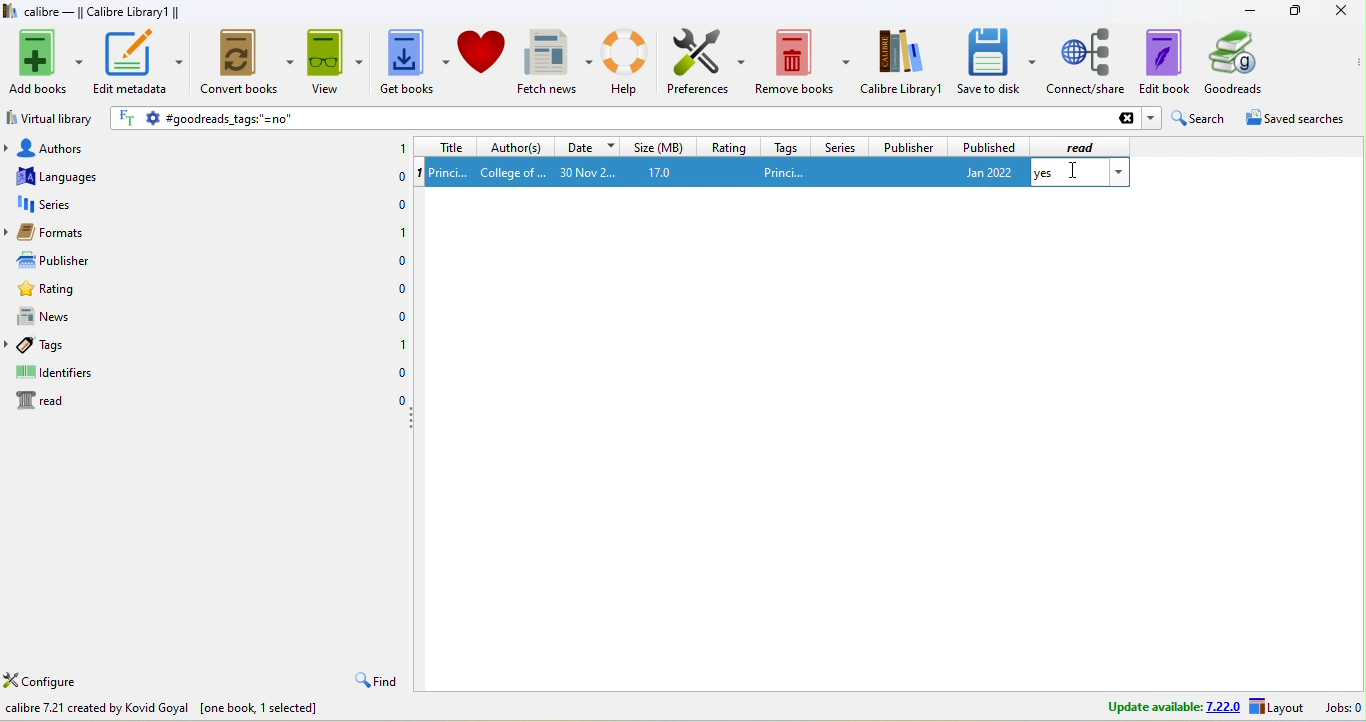  I want to click on dropdown, so click(1151, 118).